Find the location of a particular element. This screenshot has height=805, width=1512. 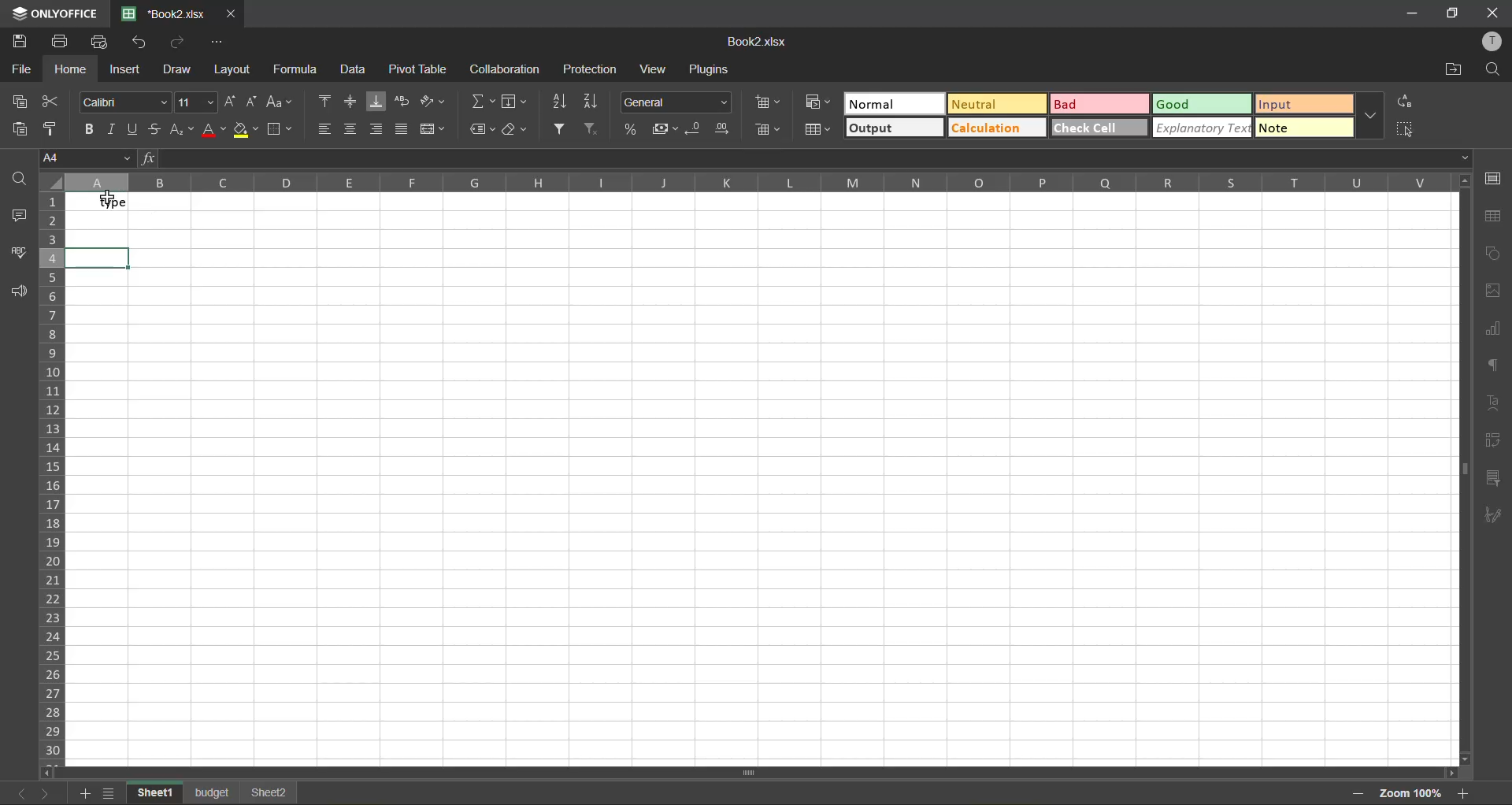

copy is located at coordinates (24, 99).